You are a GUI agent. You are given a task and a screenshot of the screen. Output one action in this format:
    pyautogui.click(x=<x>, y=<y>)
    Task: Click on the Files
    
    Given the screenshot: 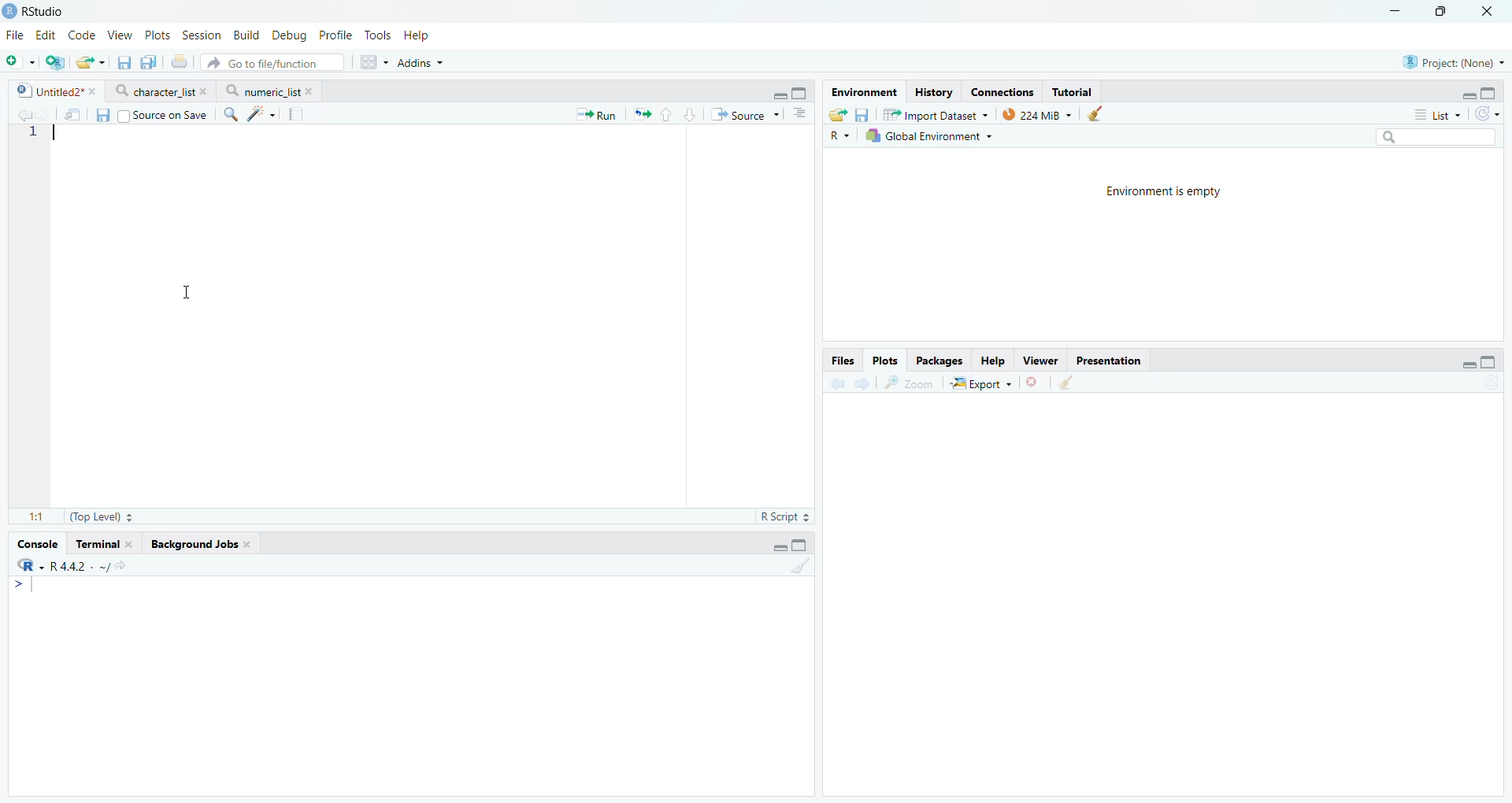 What is the action you would take?
    pyautogui.click(x=843, y=360)
    